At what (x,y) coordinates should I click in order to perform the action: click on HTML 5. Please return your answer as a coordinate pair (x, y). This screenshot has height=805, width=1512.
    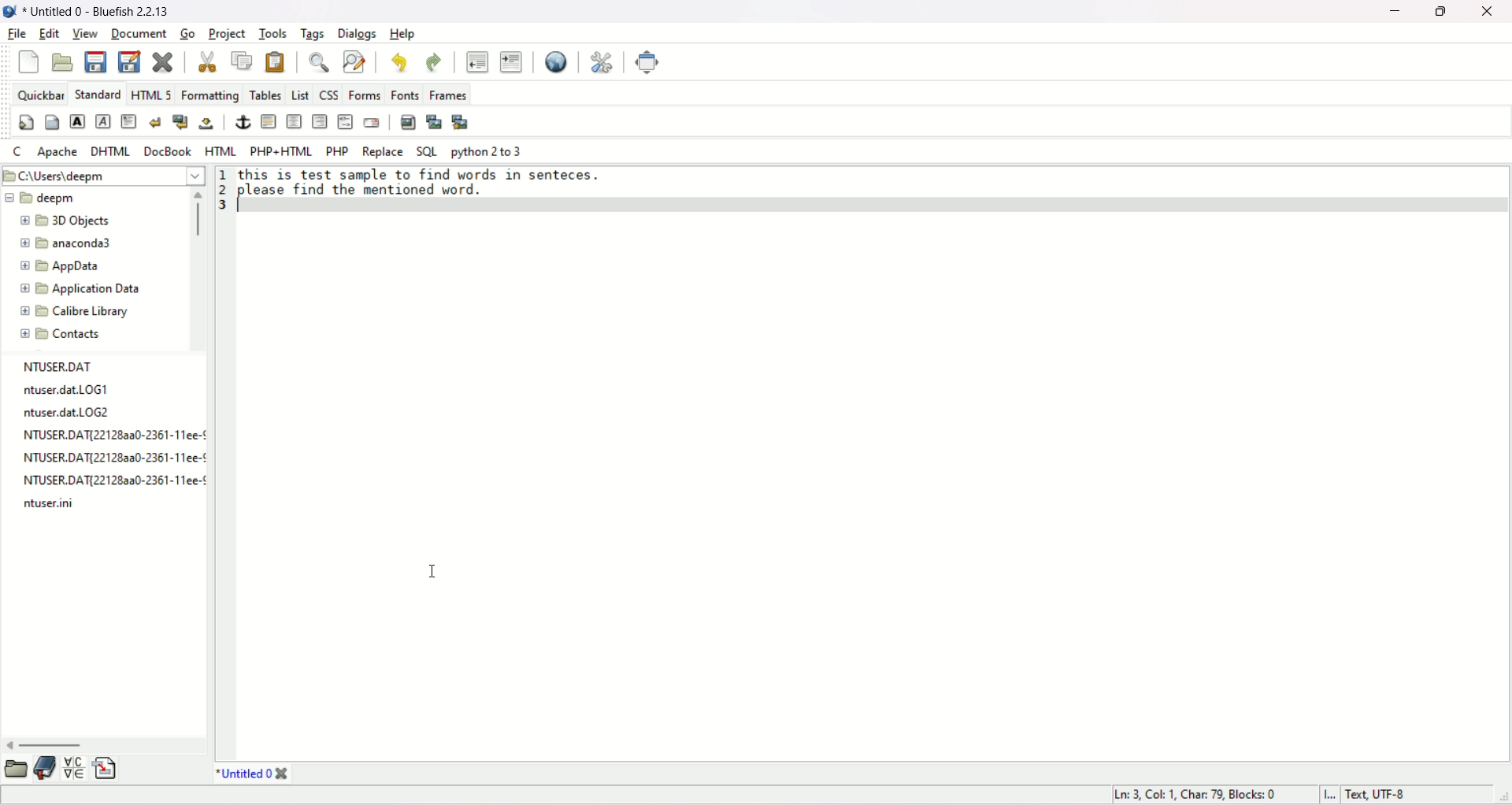
    Looking at the image, I should click on (151, 94).